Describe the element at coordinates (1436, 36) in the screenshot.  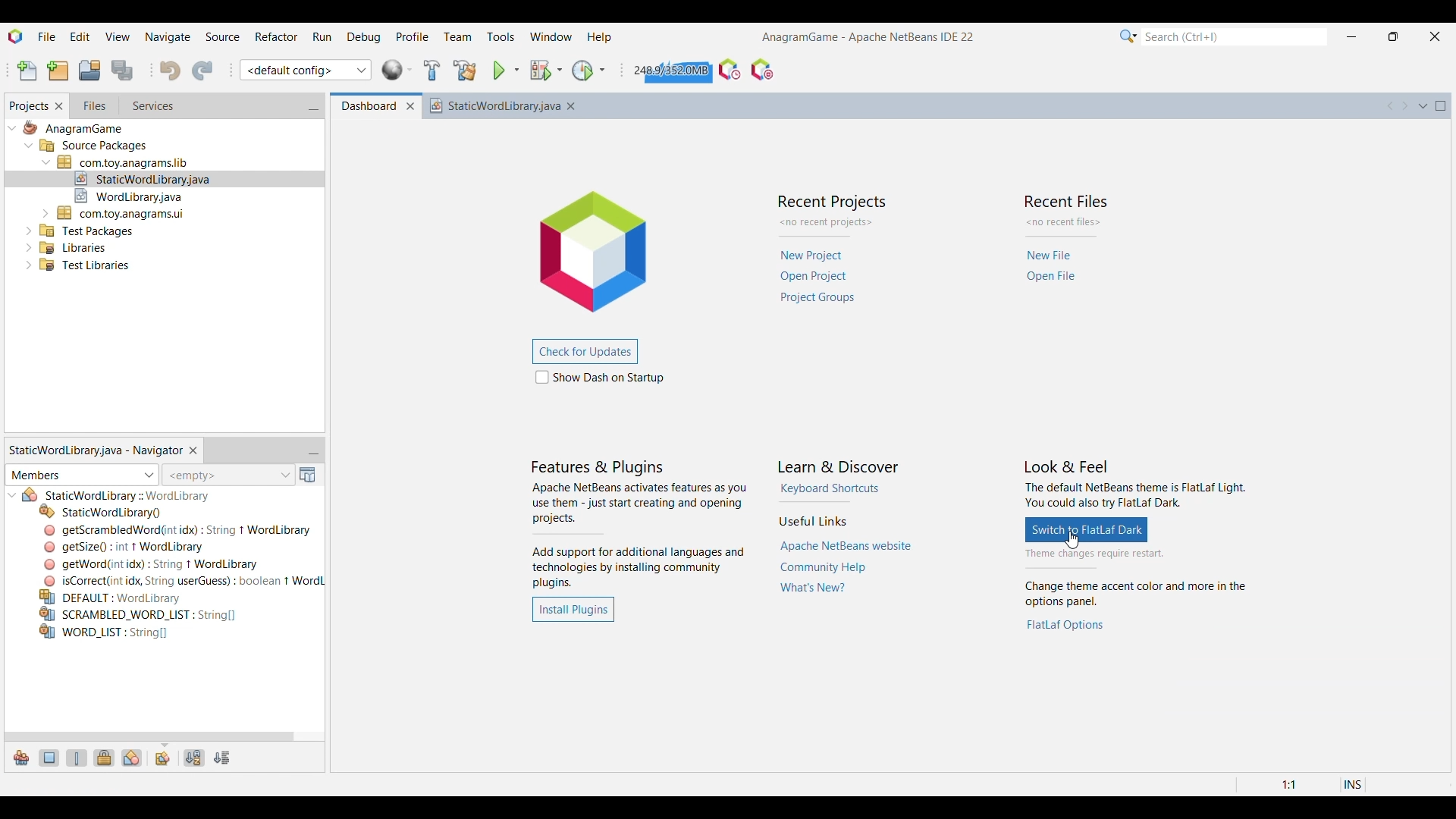
I see `Close interface` at that location.